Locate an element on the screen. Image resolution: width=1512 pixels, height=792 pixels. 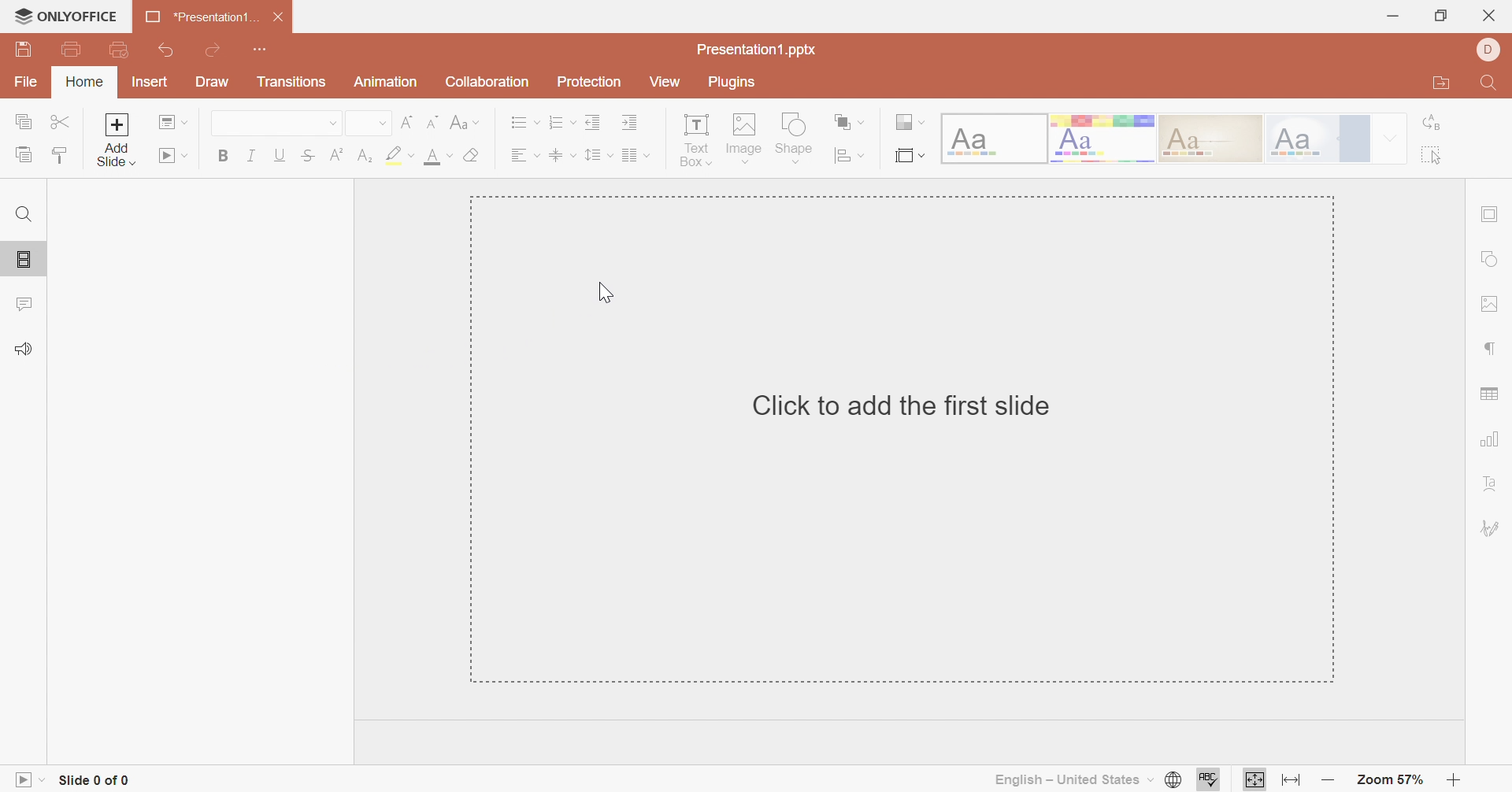
Change slide layout is located at coordinates (161, 121).